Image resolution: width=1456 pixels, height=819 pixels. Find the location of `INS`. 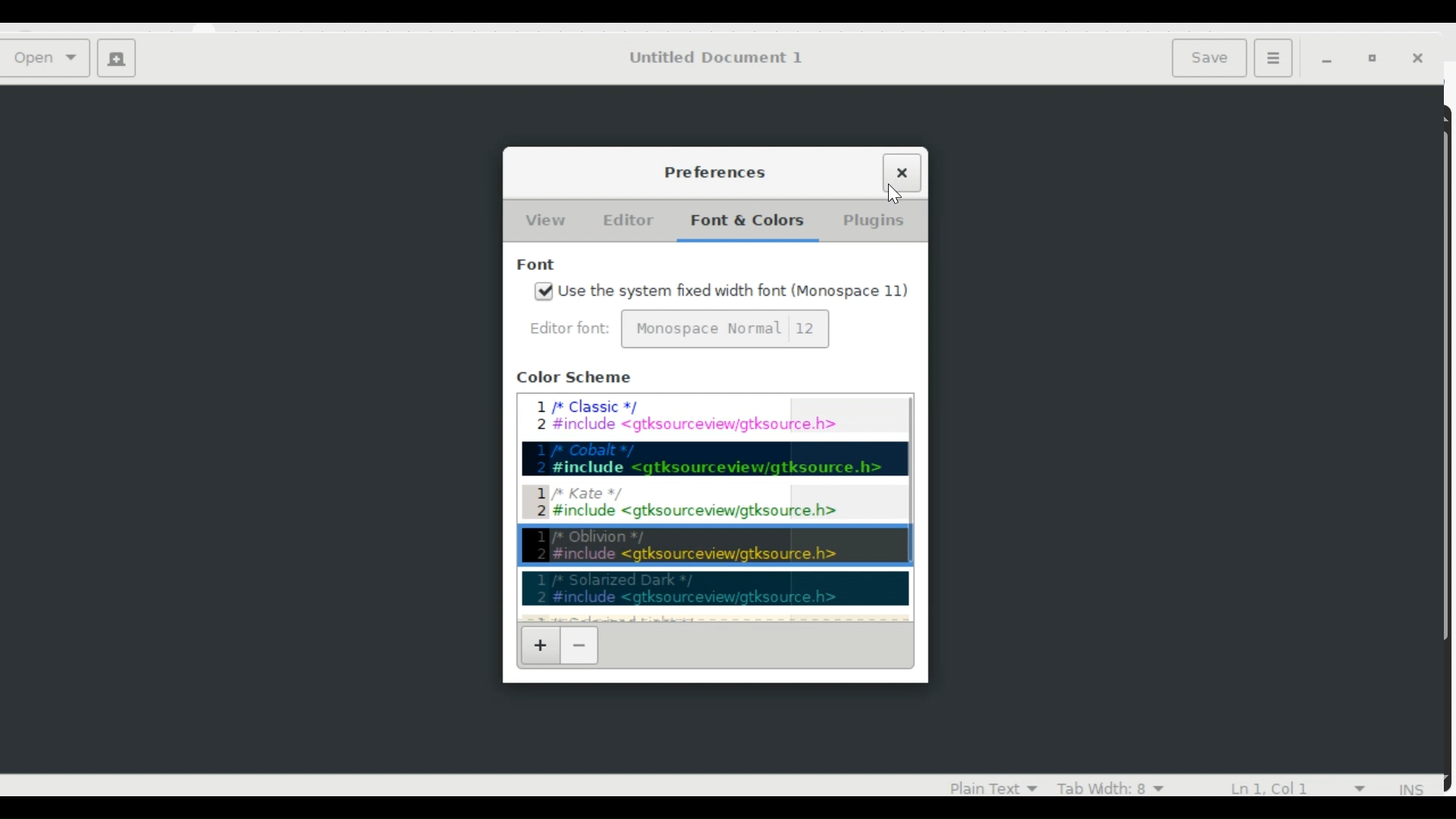

INS is located at coordinates (1413, 789).